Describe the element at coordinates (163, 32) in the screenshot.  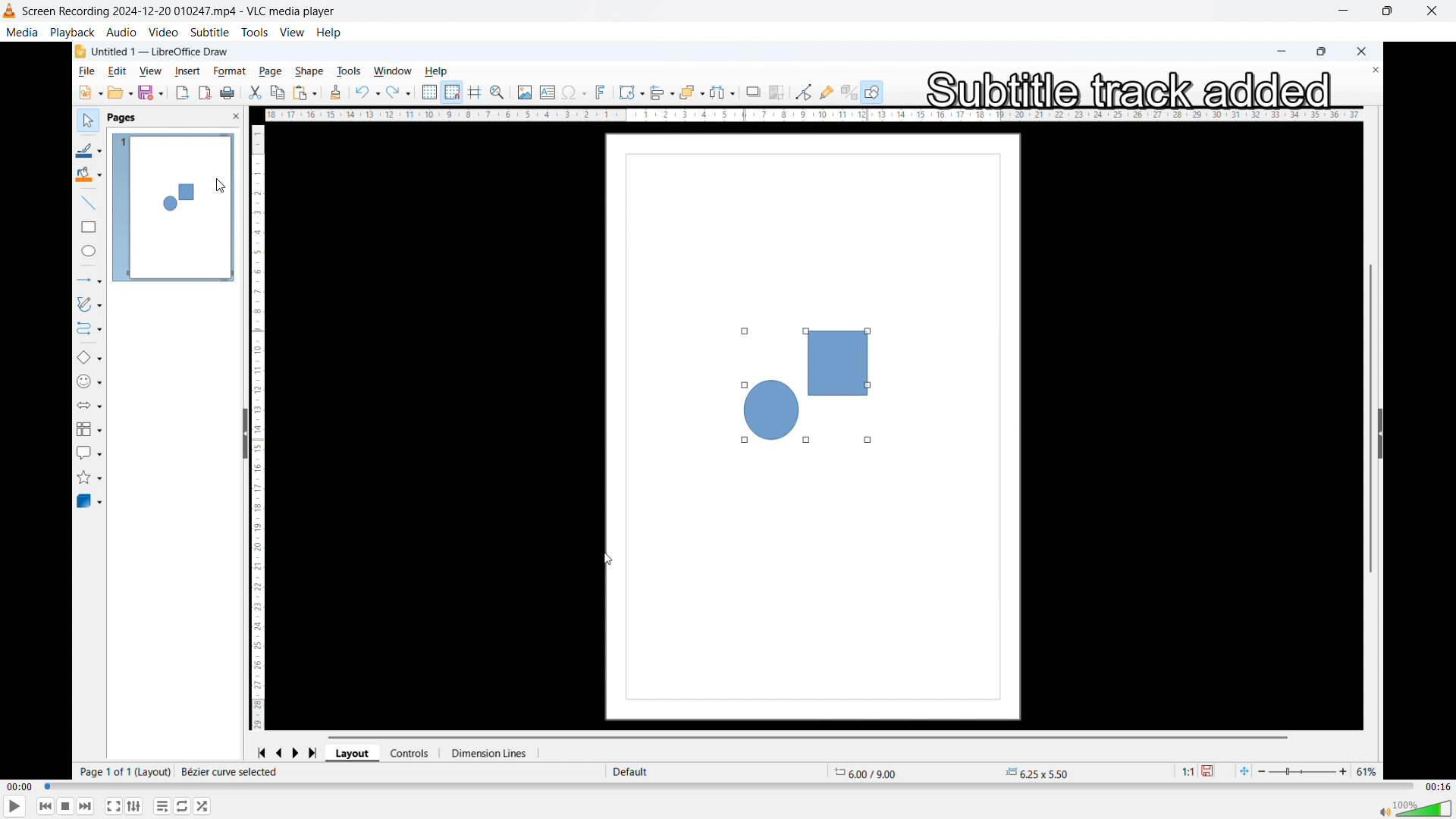
I see `Video ` at that location.